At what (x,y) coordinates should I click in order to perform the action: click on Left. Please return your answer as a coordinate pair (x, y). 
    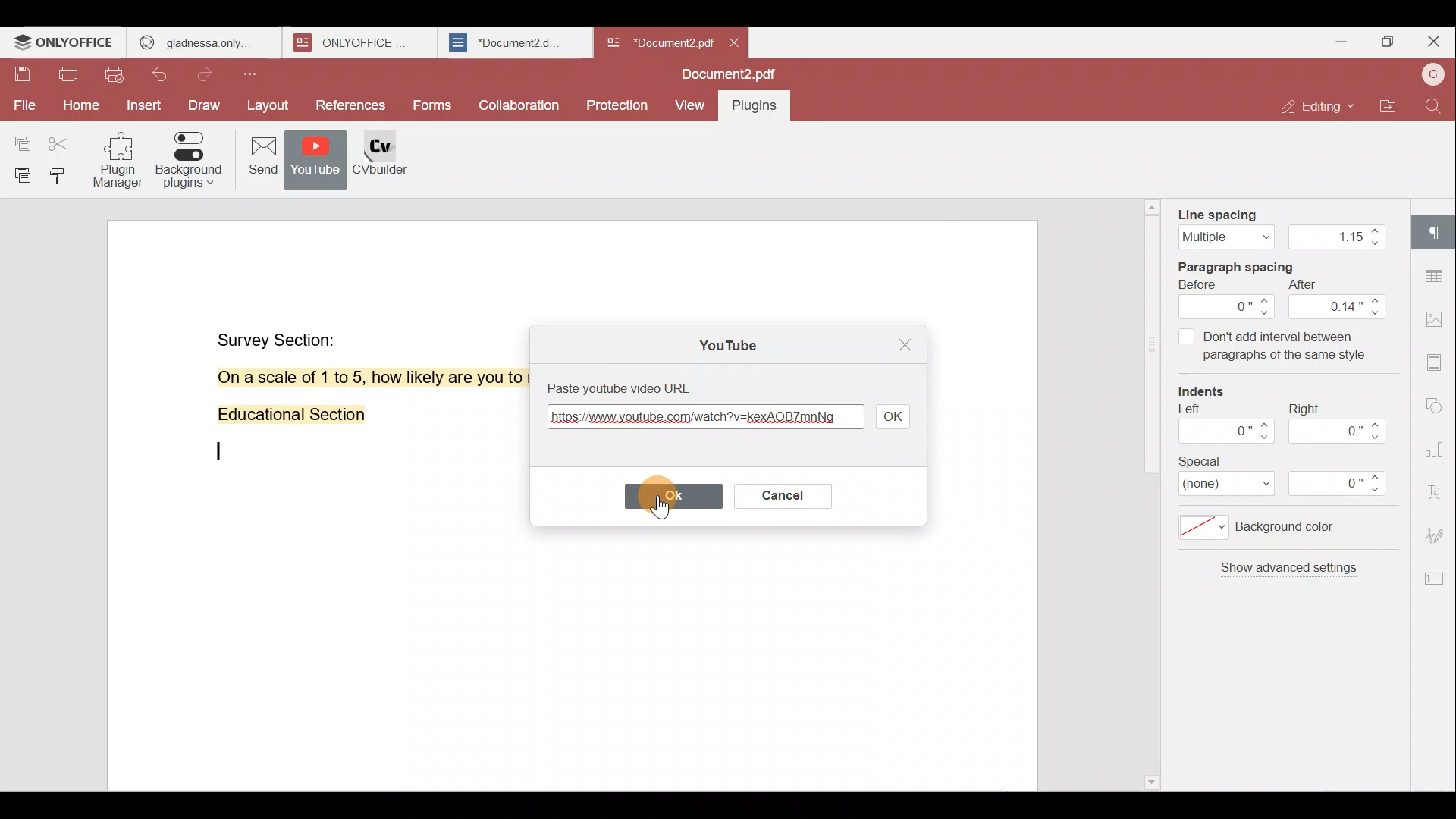
    Looking at the image, I should click on (1223, 428).